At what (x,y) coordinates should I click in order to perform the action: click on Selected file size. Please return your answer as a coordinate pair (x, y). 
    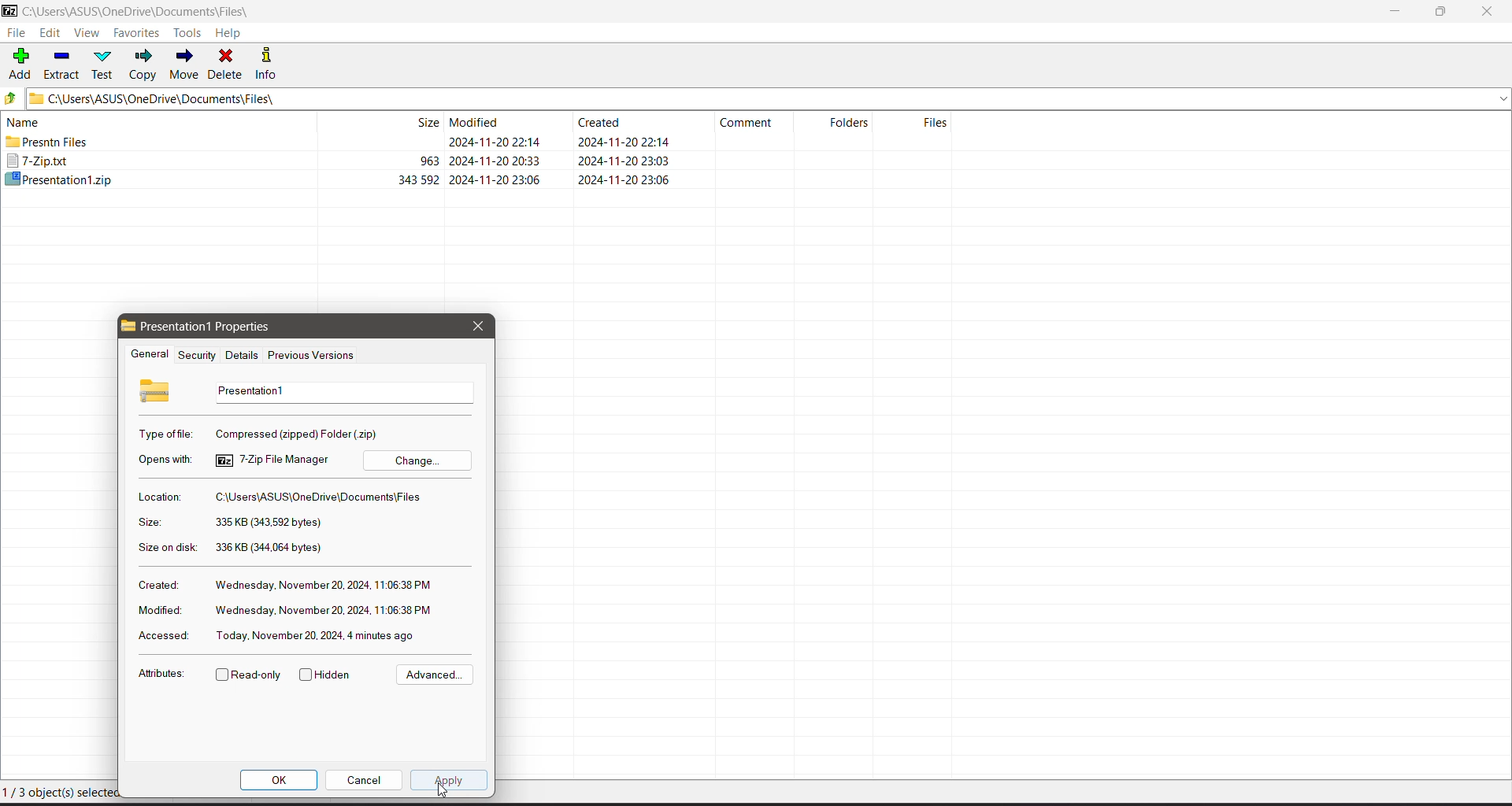
    Looking at the image, I should click on (268, 523).